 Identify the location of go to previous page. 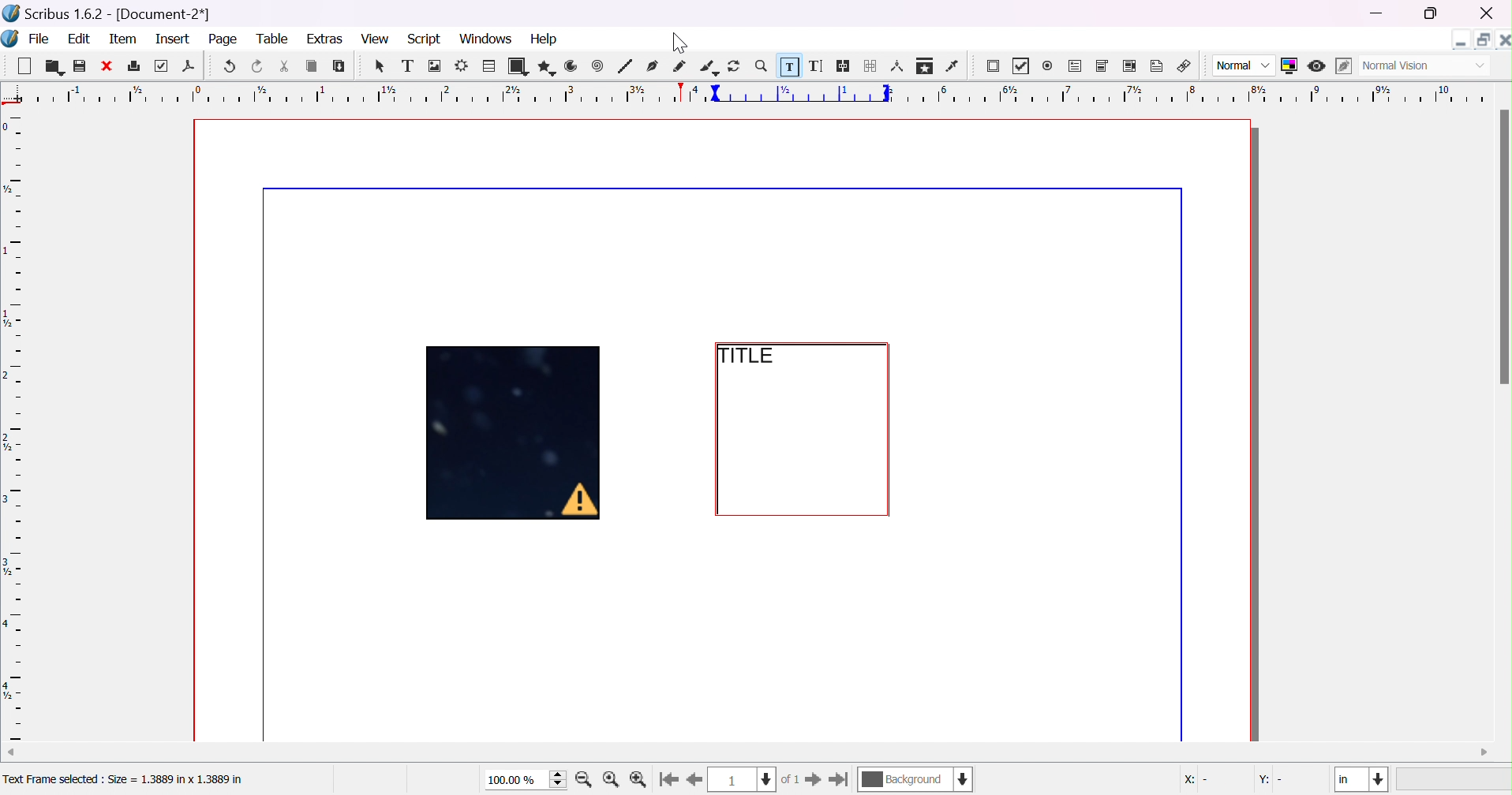
(693, 781).